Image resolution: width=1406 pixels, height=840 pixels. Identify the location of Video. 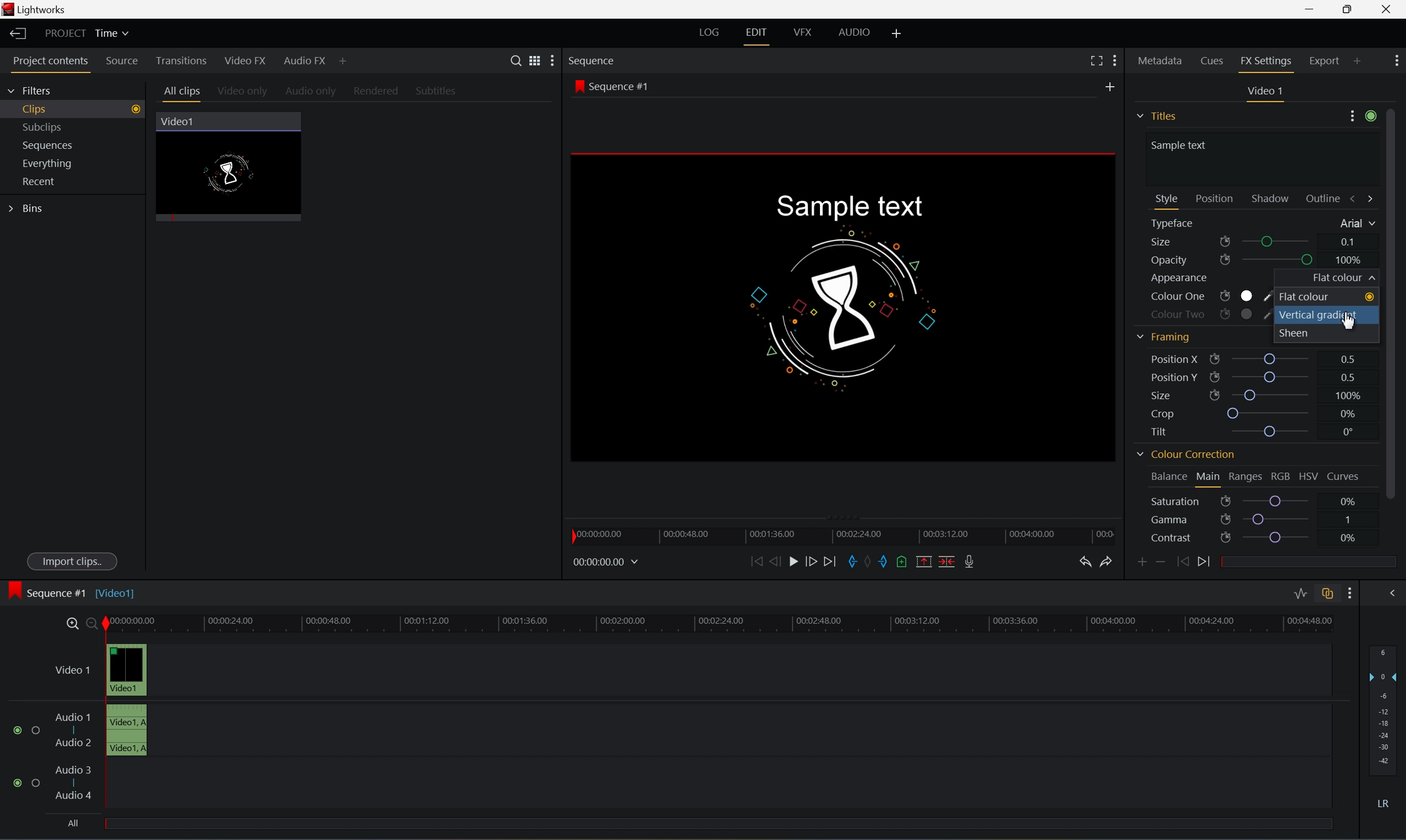
(237, 174).